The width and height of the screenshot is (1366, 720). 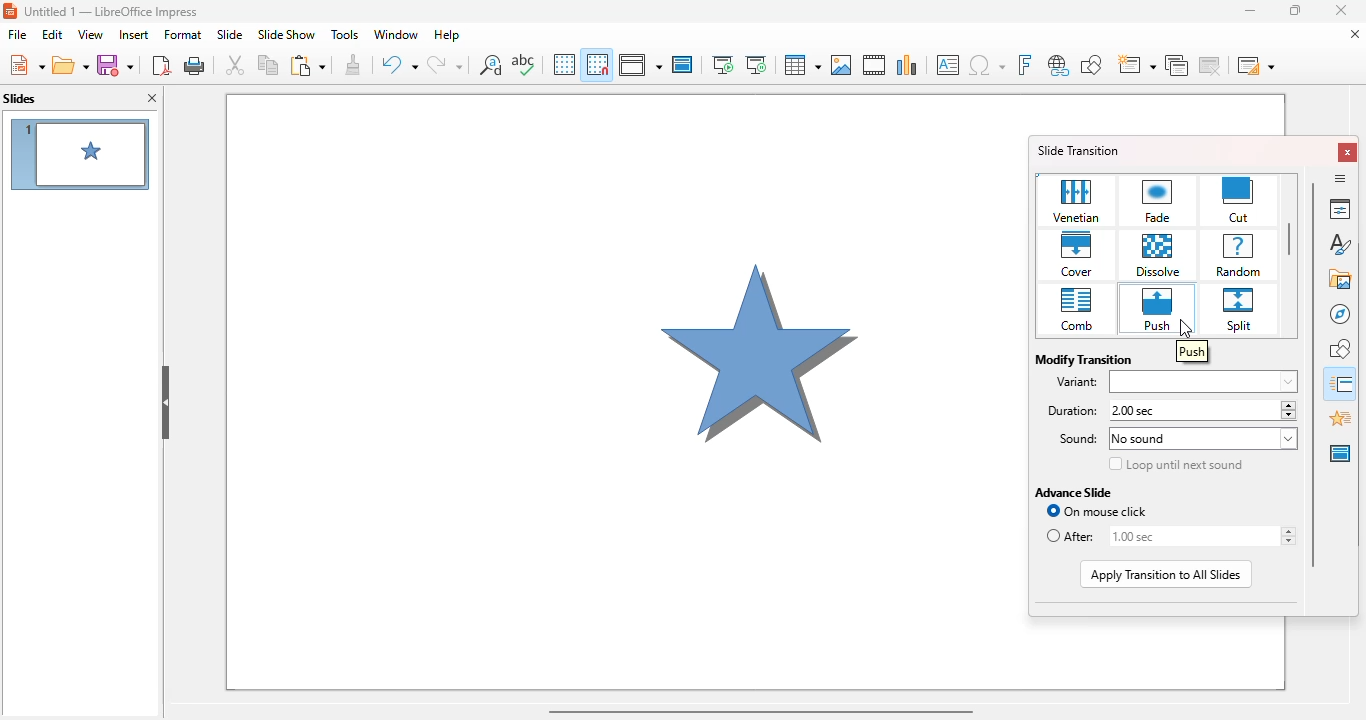 I want to click on insert fontwork text, so click(x=1024, y=65).